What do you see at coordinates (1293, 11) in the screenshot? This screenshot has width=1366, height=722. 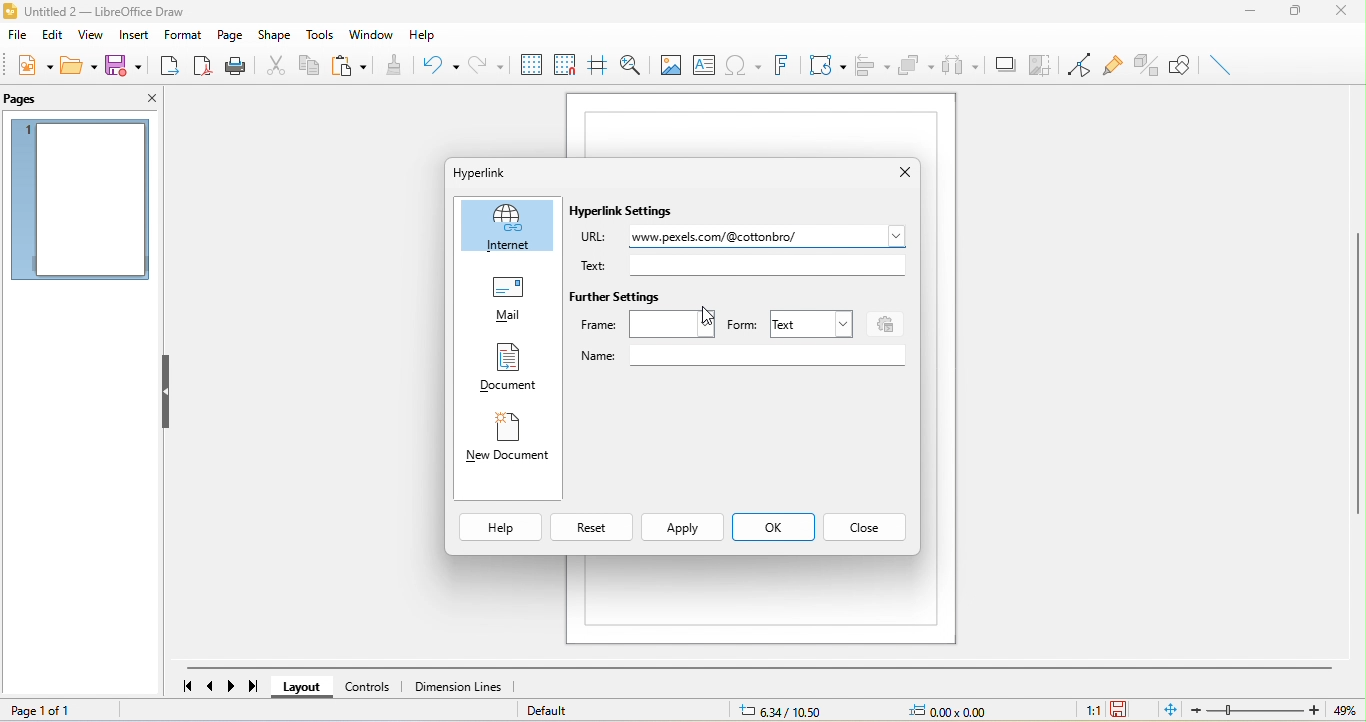 I see `maximize` at bounding box center [1293, 11].